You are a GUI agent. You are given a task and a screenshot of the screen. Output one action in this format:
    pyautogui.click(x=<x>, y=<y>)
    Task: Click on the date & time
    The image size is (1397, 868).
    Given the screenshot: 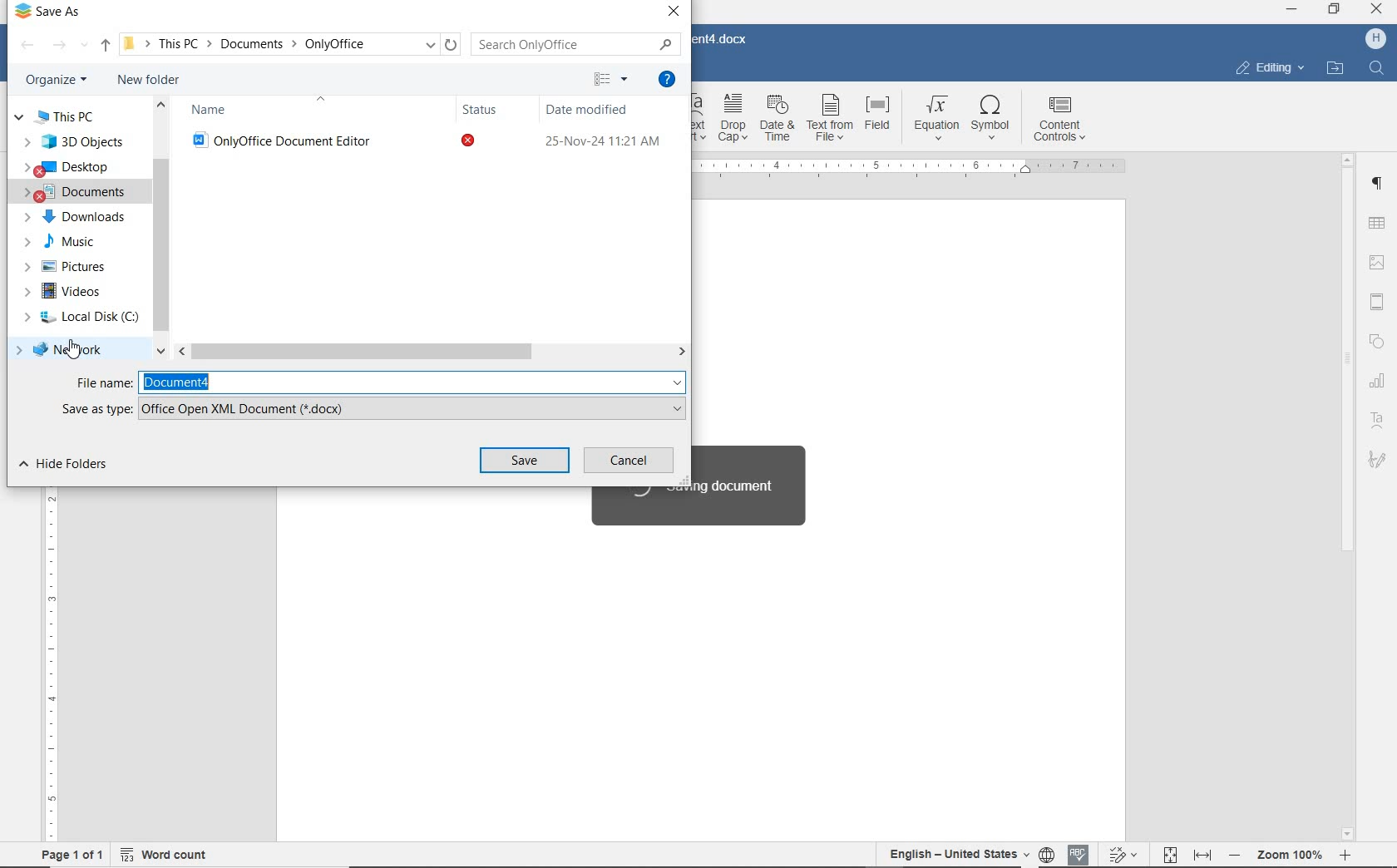 What is the action you would take?
    pyautogui.click(x=778, y=121)
    